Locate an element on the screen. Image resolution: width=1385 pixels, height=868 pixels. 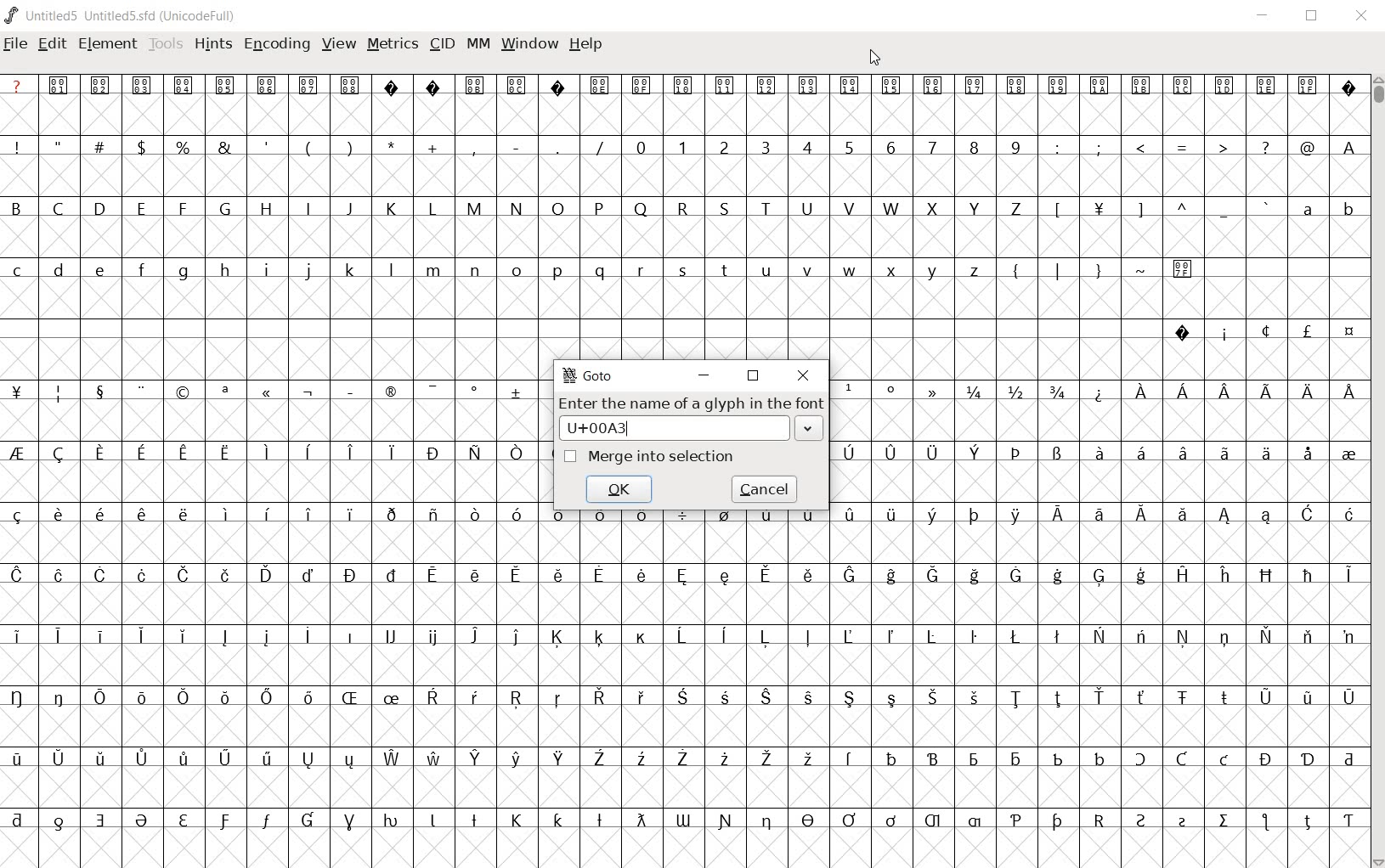
T is located at coordinates (766, 207).